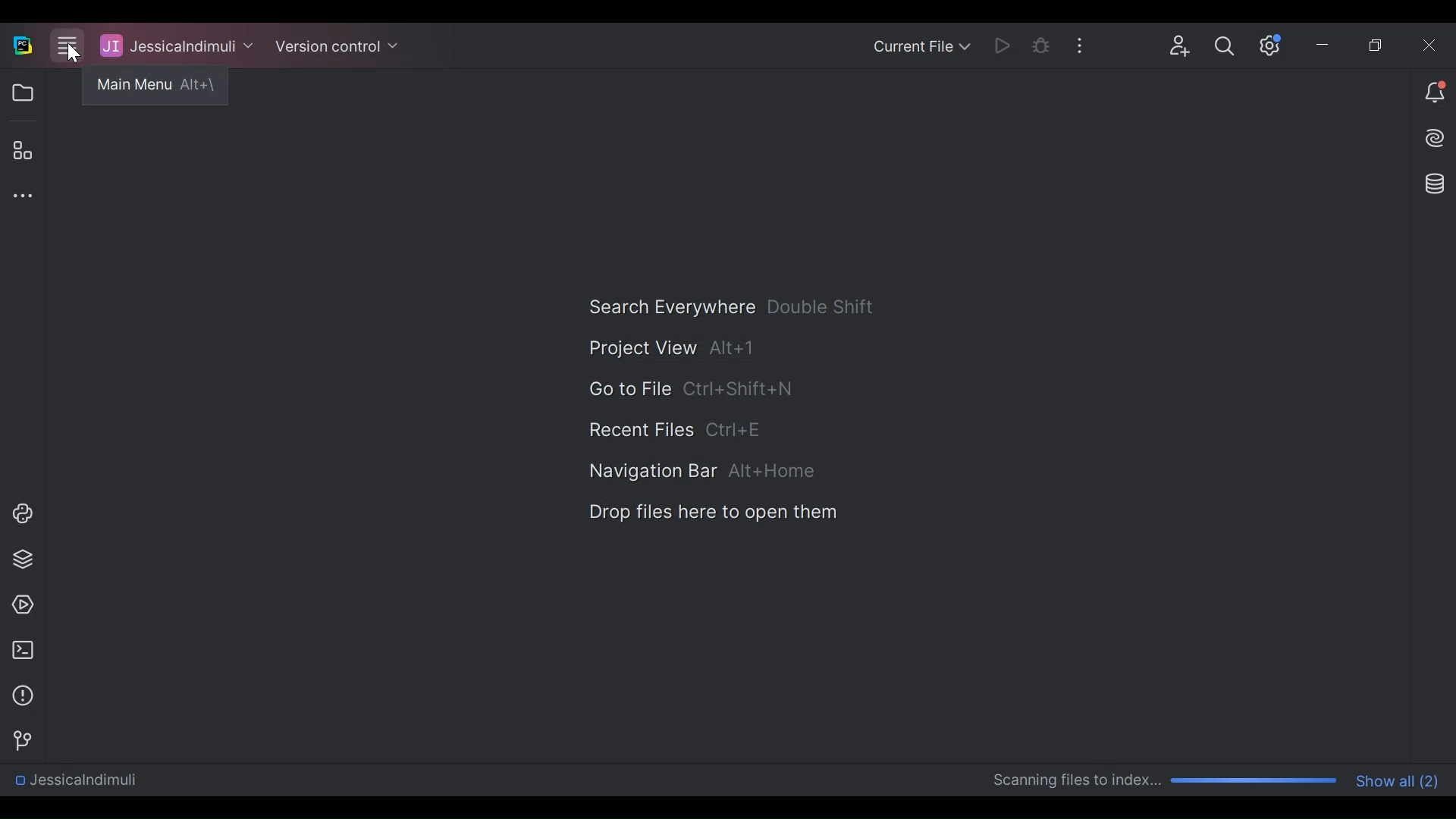 The height and width of the screenshot is (819, 1456). I want to click on Current File, so click(923, 45).